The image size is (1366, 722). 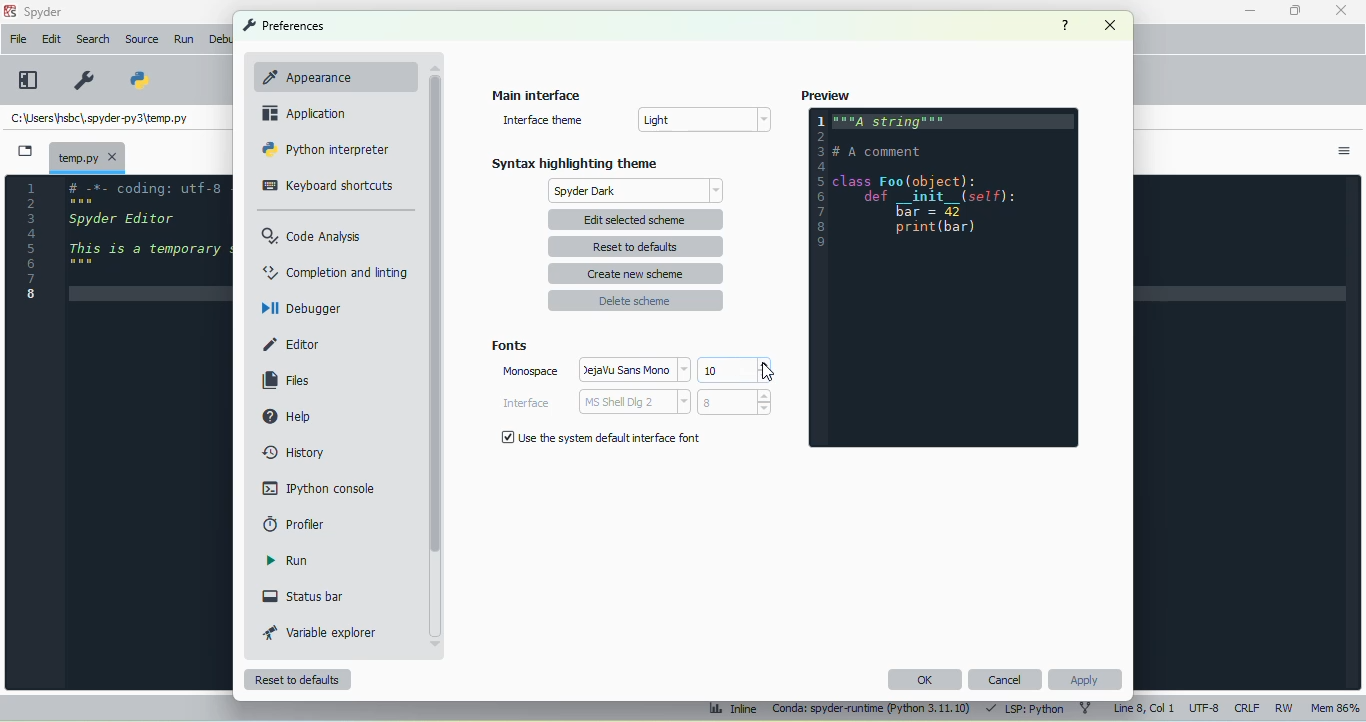 What do you see at coordinates (301, 307) in the screenshot?
I see `debugger` at bounding box center [301, 307].